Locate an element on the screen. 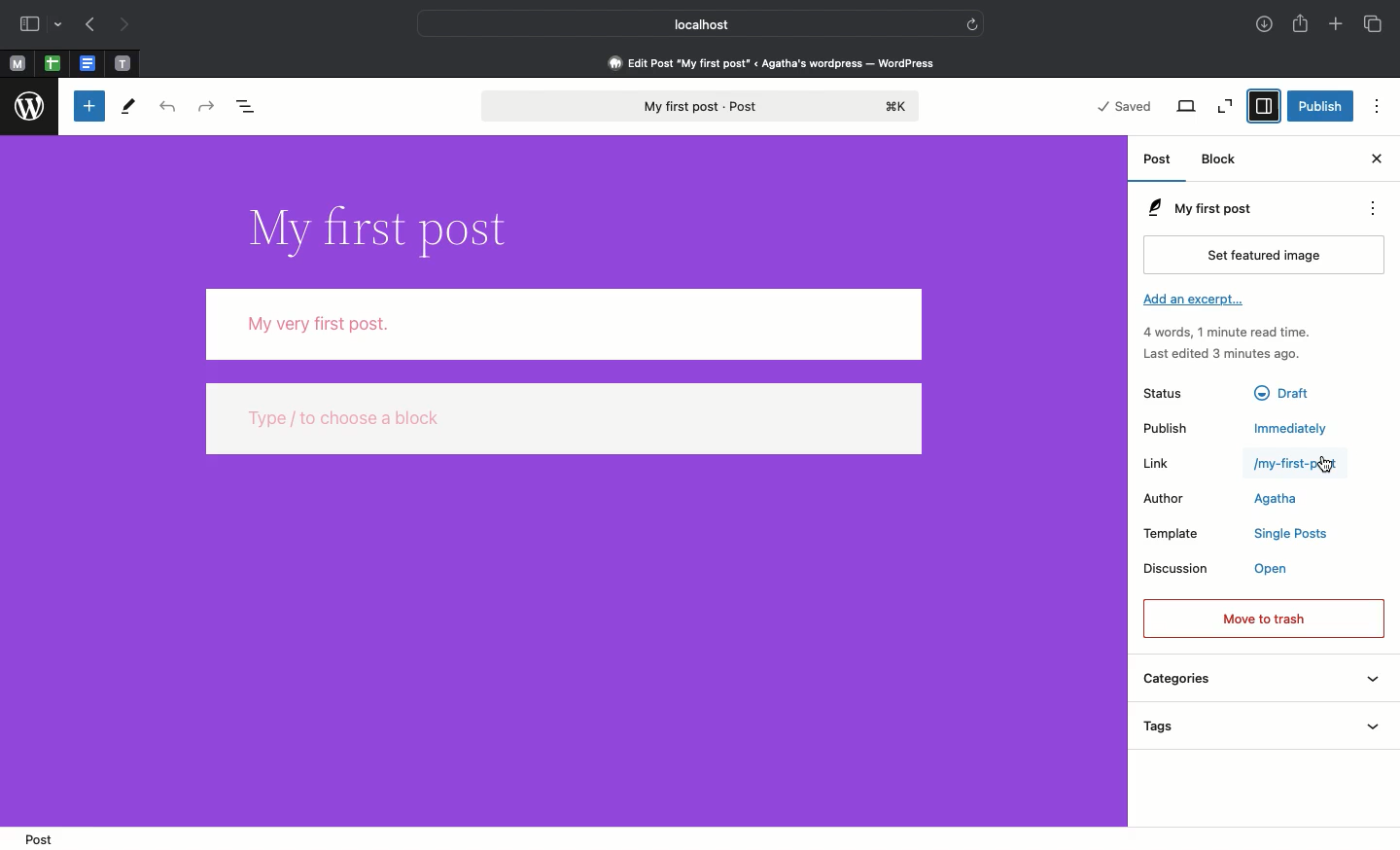  Tags is located at coordinates (1267, 724).